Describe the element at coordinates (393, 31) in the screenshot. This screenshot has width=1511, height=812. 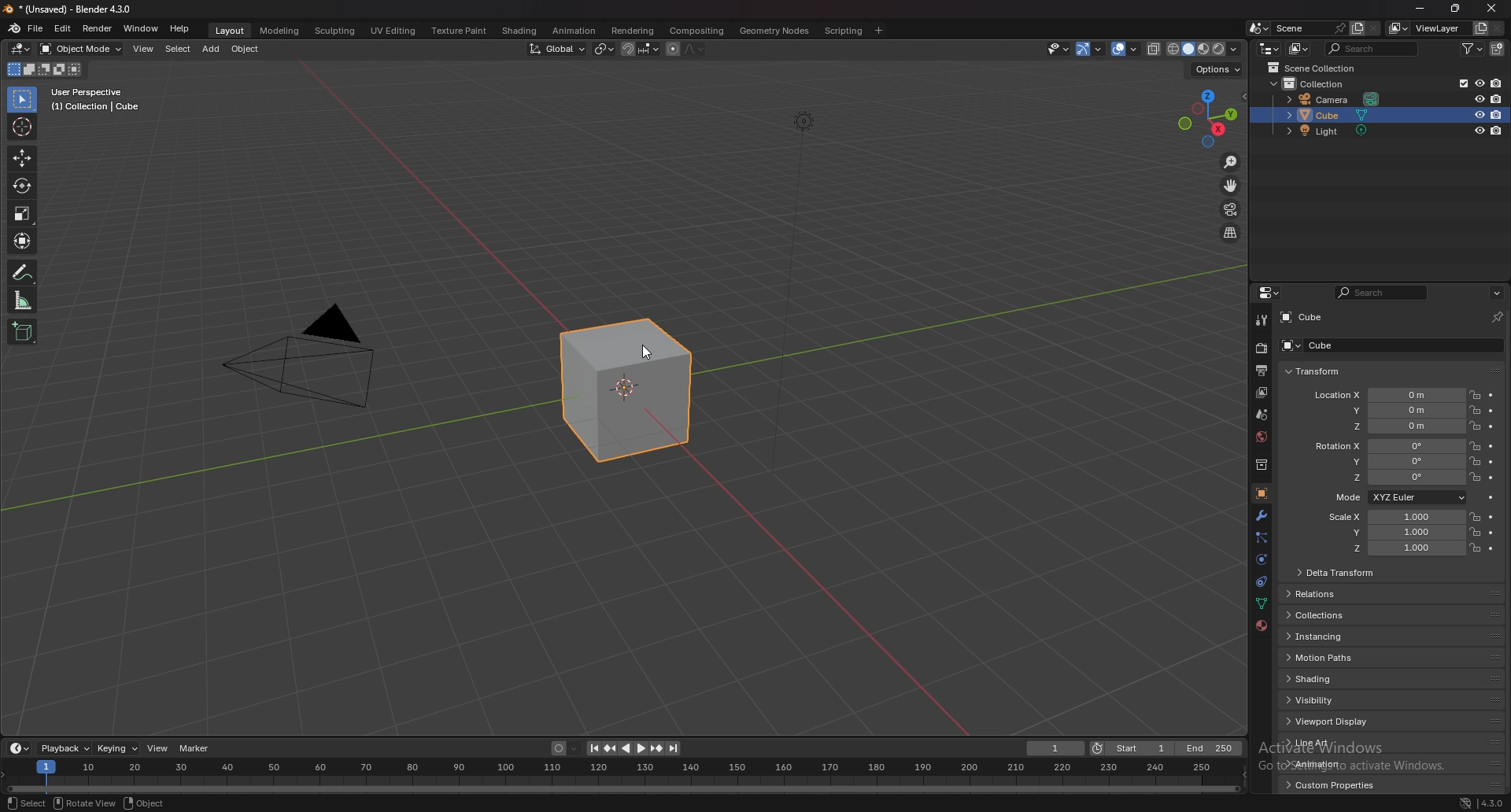
I see `uv editing` at that location.